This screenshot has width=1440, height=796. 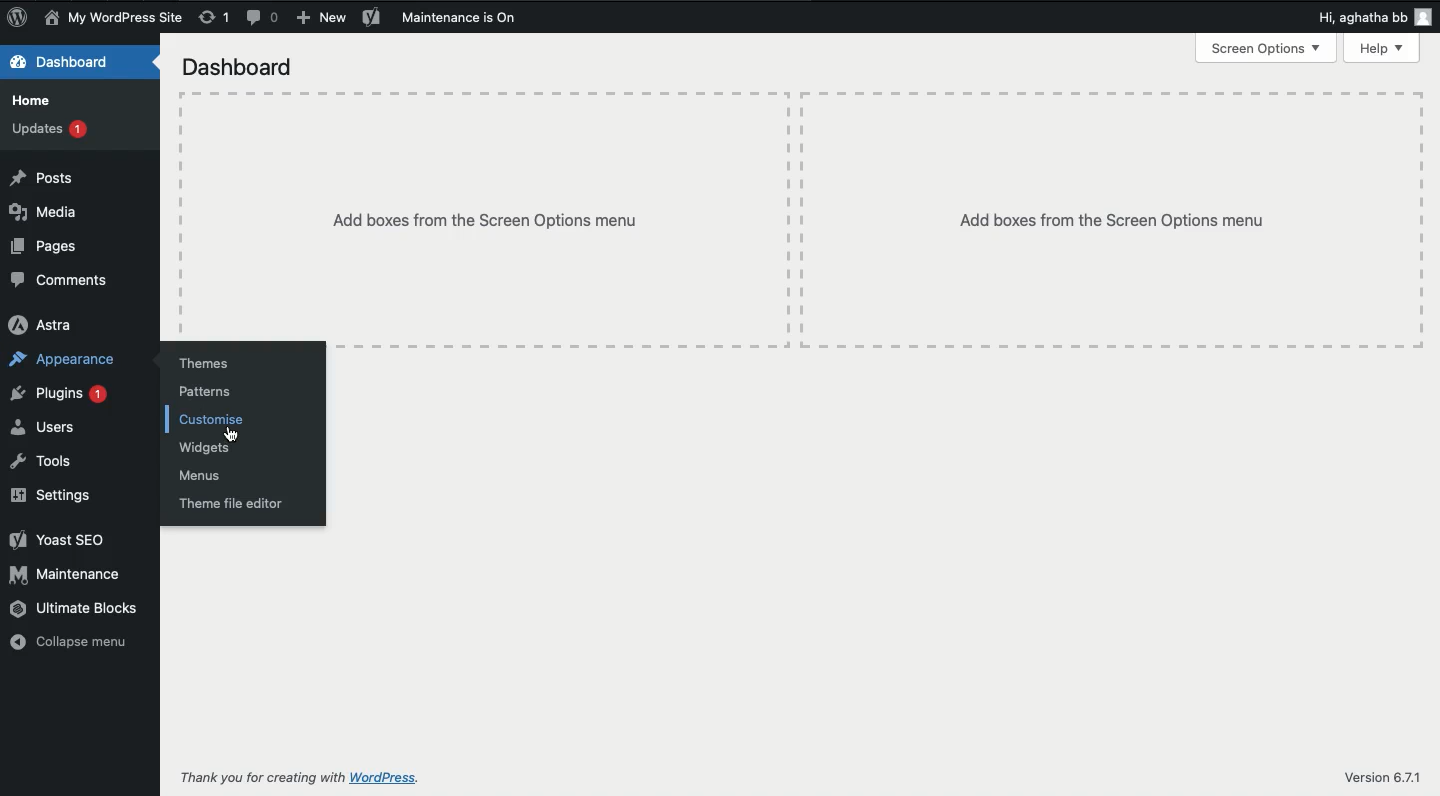 What do you see at coordinates (804, 217) in the screenshot?
I see `Add boxes from the screen options menu` at bounding box center [804, 217].